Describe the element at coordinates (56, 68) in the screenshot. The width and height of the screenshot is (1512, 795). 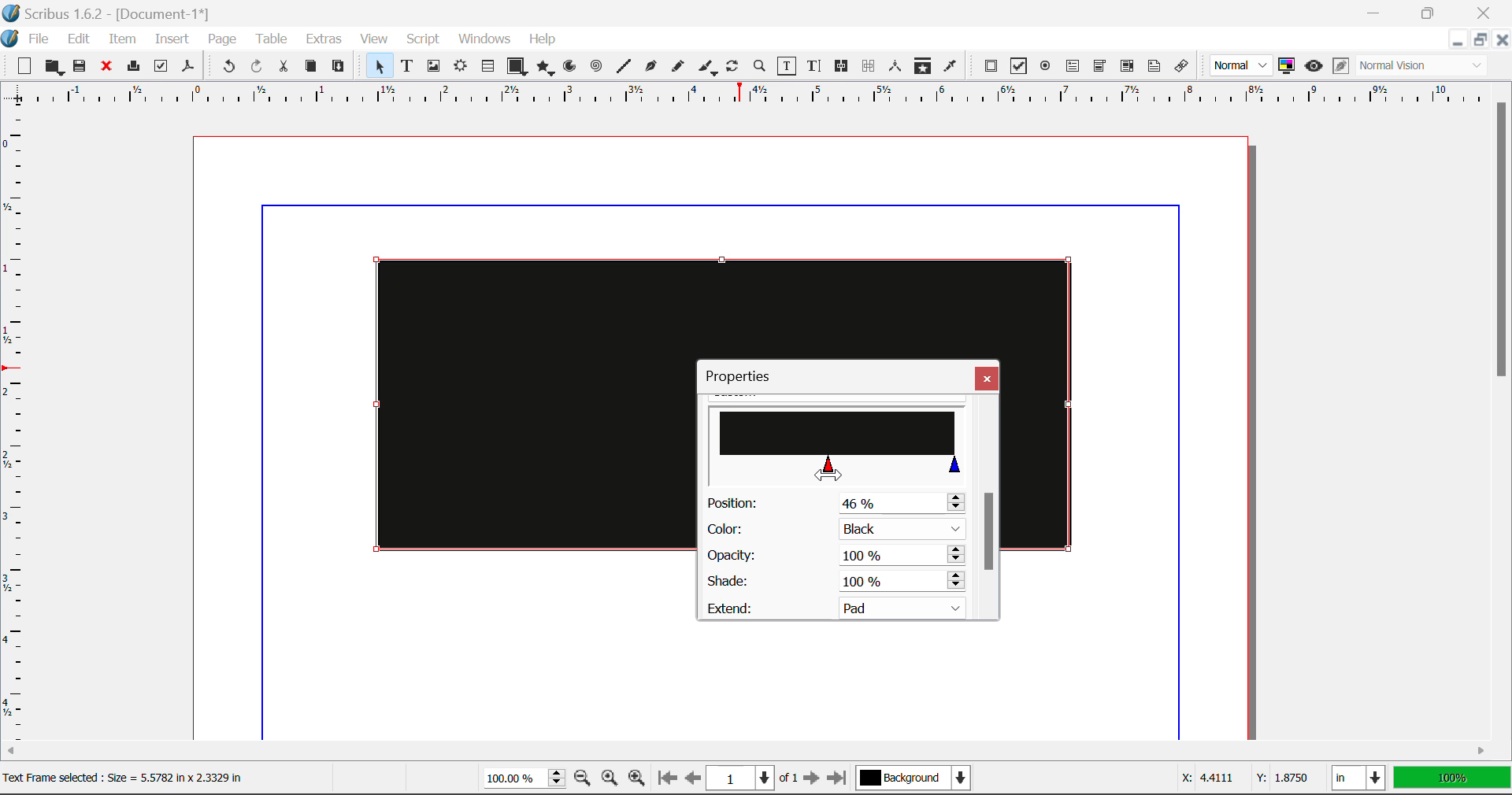
I see `Open` at that location.